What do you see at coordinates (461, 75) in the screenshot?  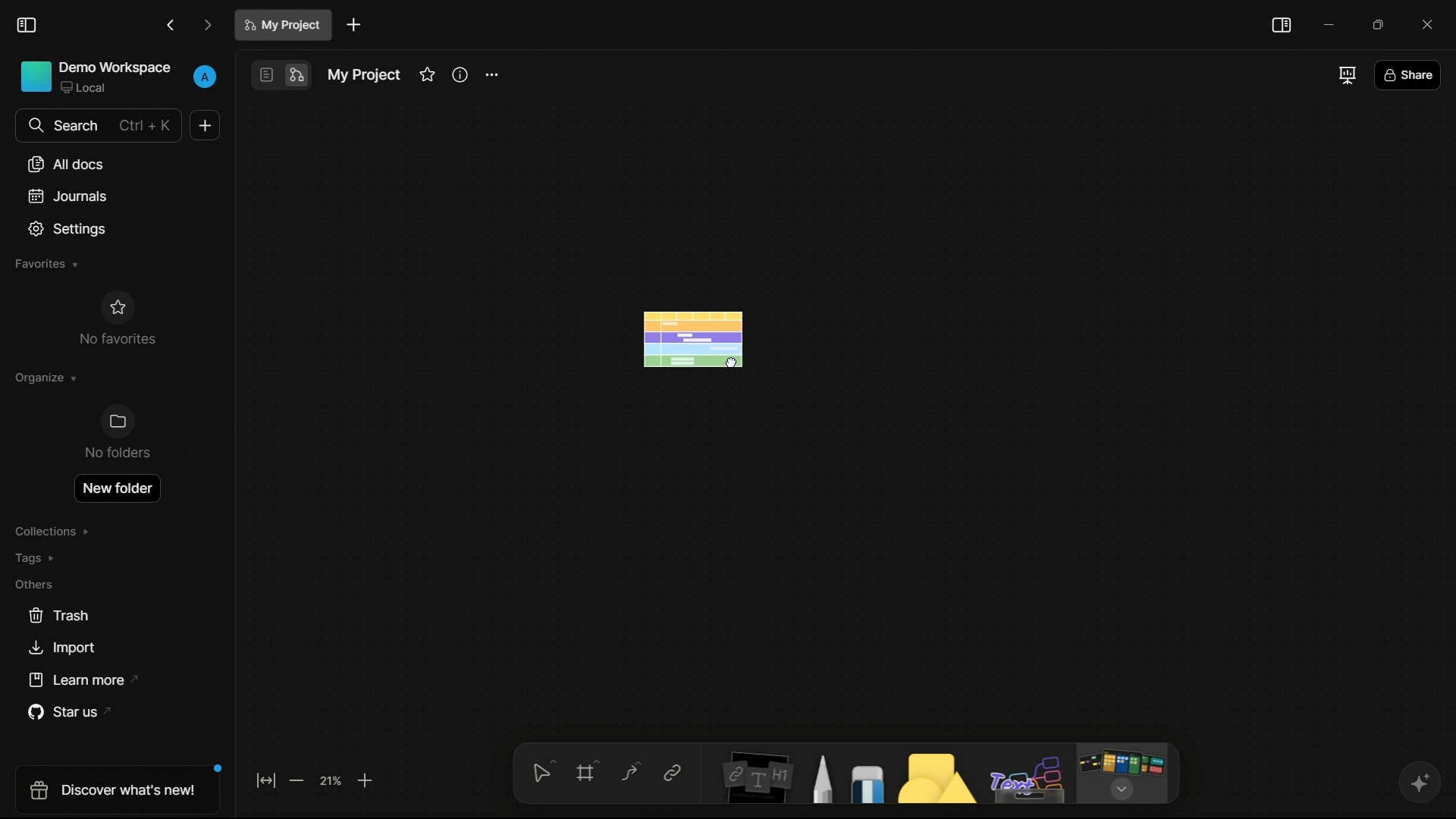 I see `information` at bounding box center [461, 75].